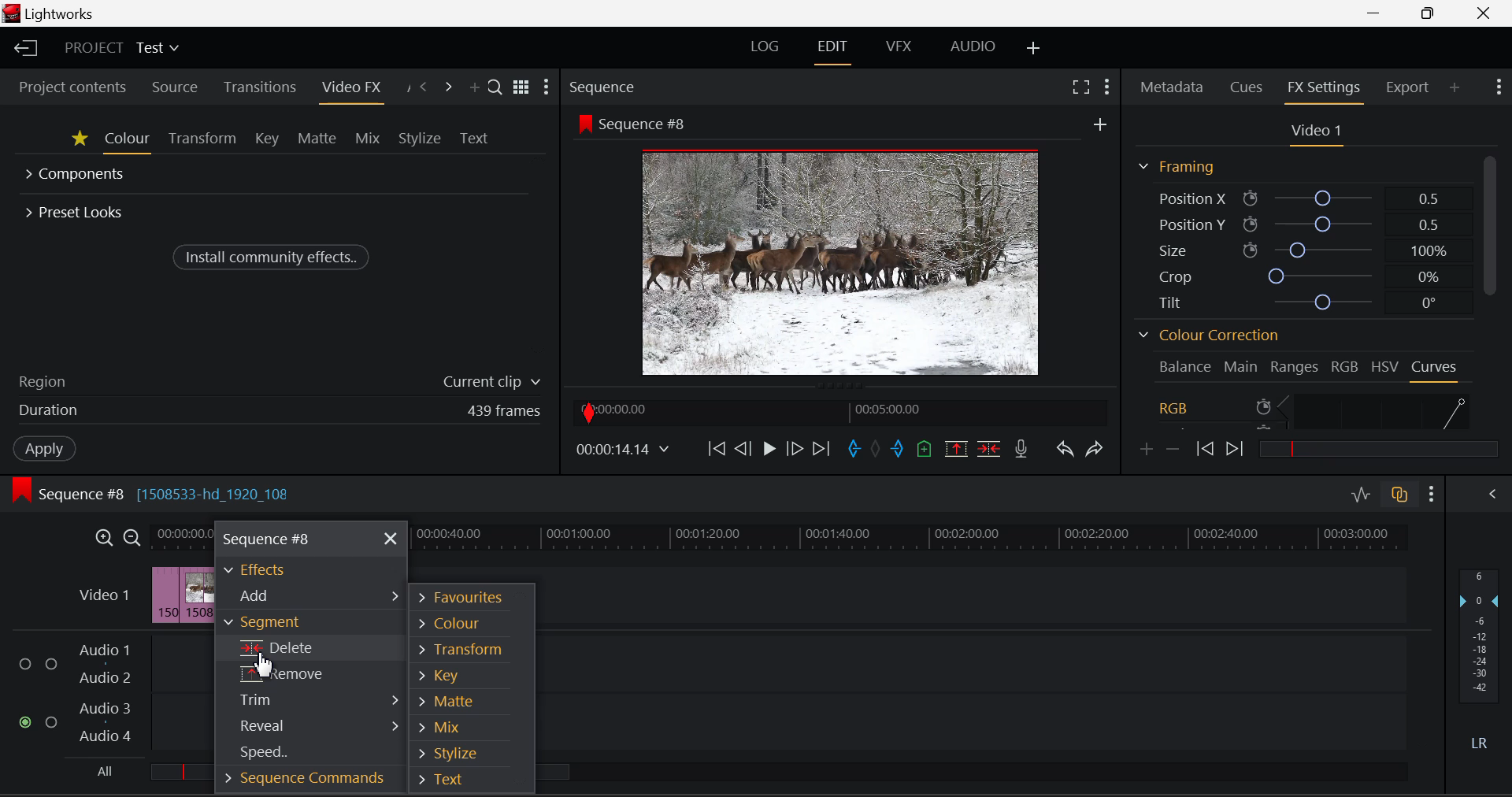  I want to click on Add, so click(307, 596).